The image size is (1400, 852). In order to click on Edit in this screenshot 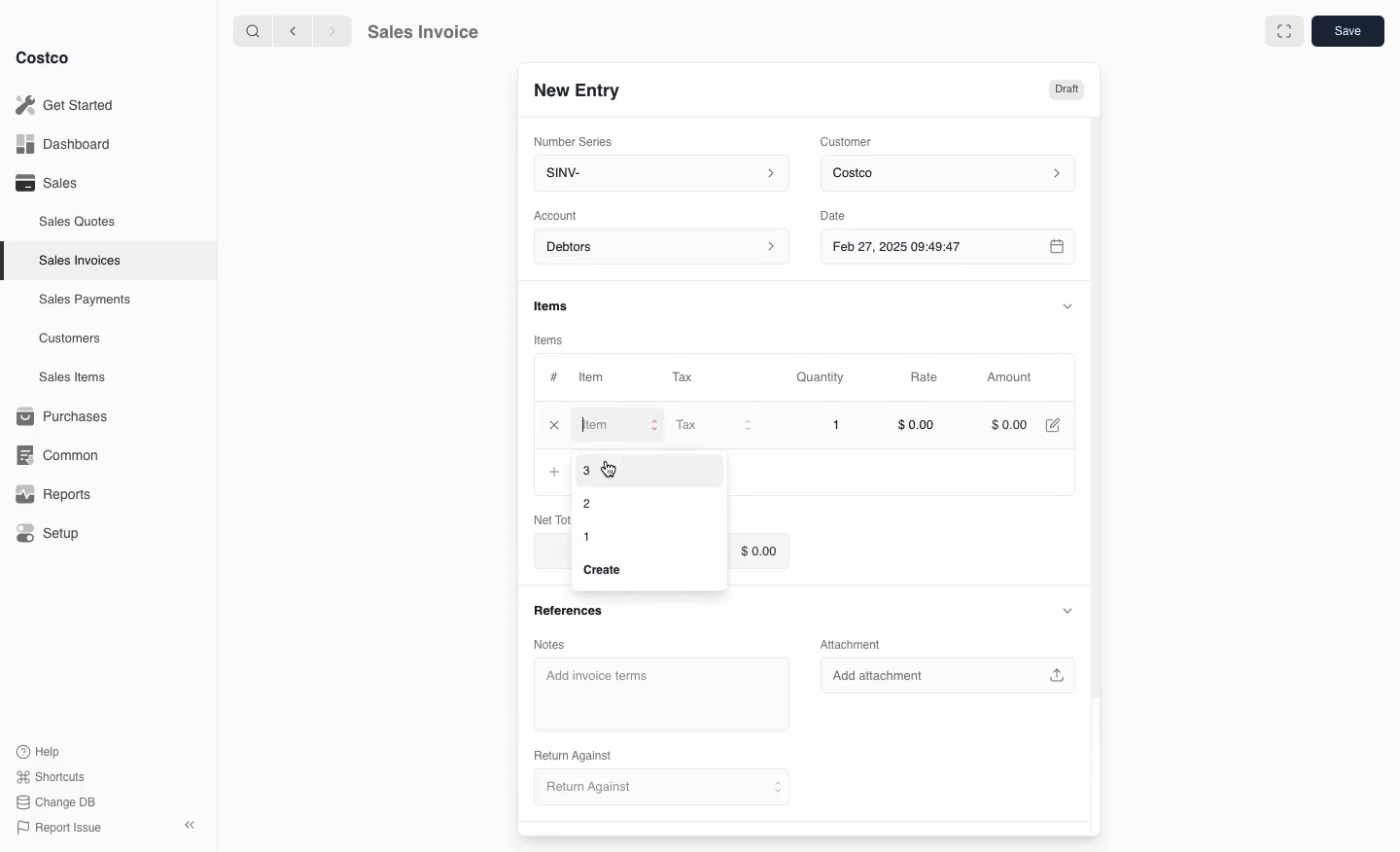, I will do `click(1056, 424)`.